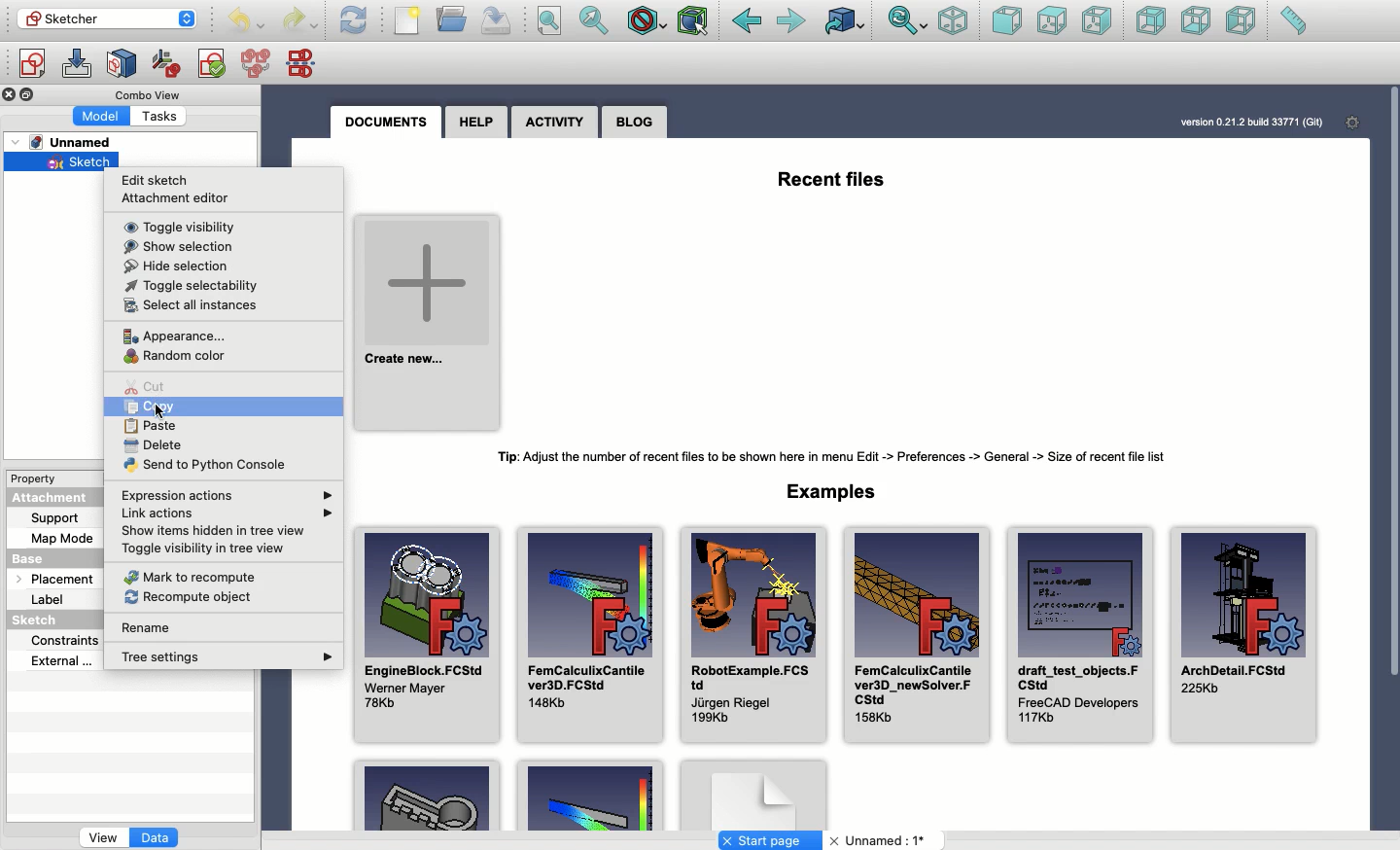  What do you see at coordinates (54, 499) in the screenshot?
I see `Attachment` at bounding box center [54, 499].